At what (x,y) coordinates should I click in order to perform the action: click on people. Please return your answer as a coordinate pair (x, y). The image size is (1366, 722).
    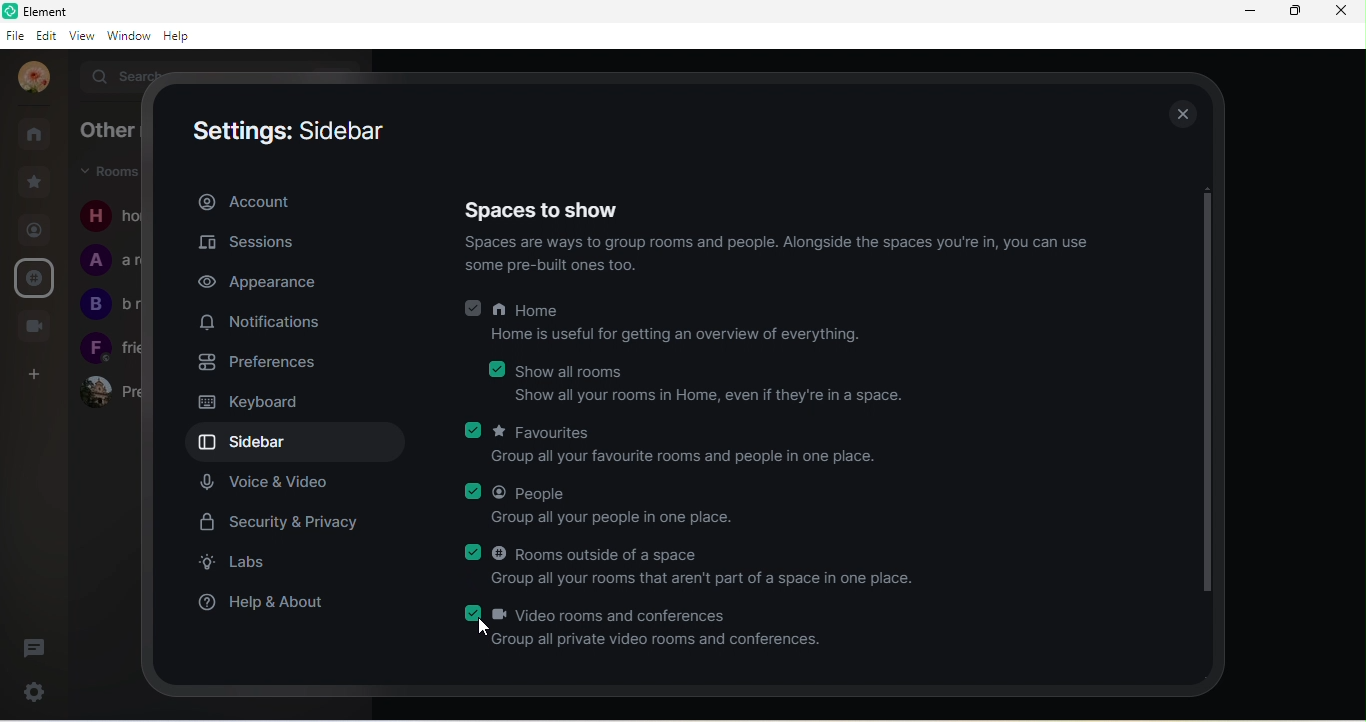
    Looking at the image, I should click on (602, 506).